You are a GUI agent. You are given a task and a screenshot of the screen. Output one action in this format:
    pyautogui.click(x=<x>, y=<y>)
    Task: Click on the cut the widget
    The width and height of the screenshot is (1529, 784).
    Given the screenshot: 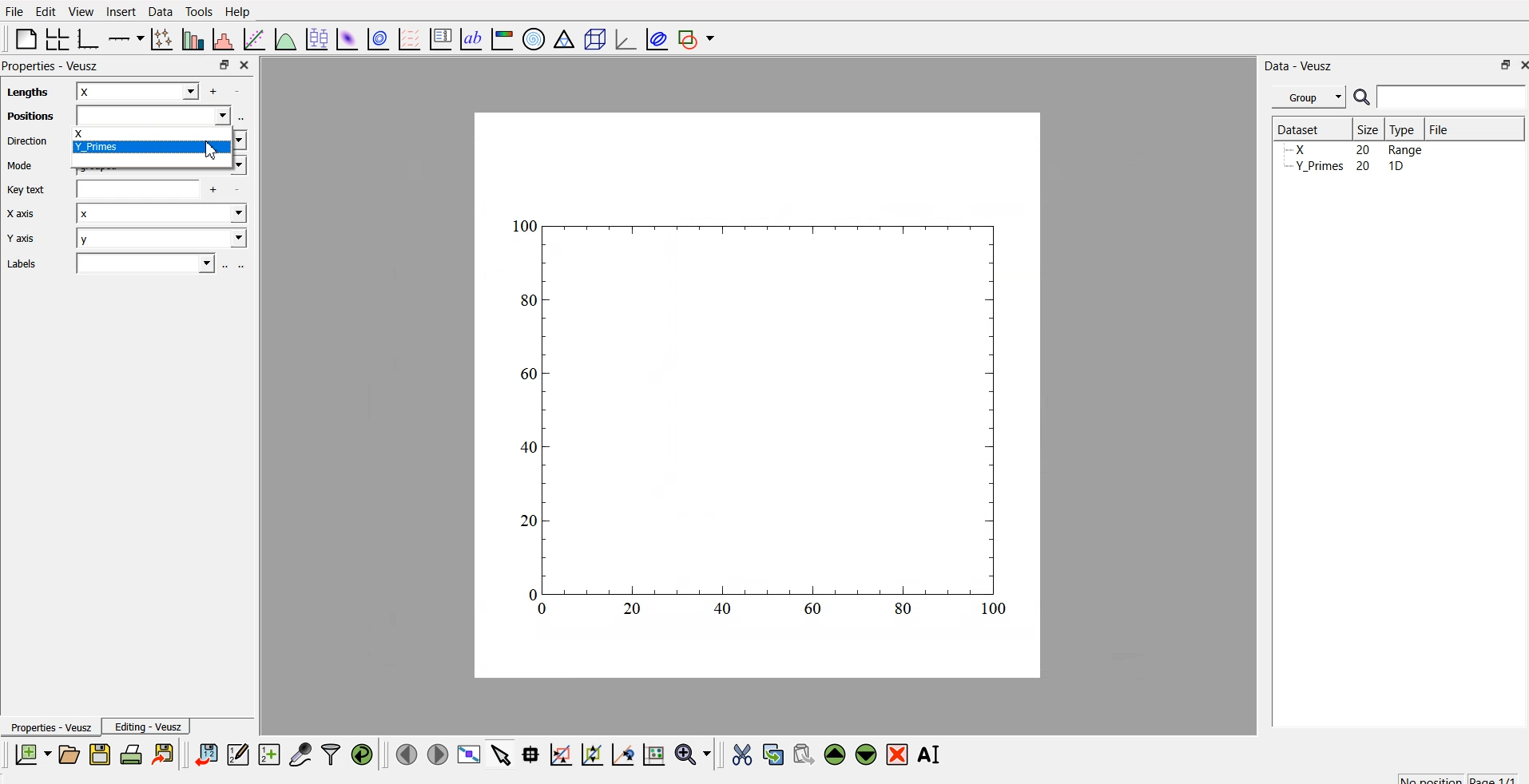 What is the action you would take?
    pyautogui.click(x=738, y=754)
    